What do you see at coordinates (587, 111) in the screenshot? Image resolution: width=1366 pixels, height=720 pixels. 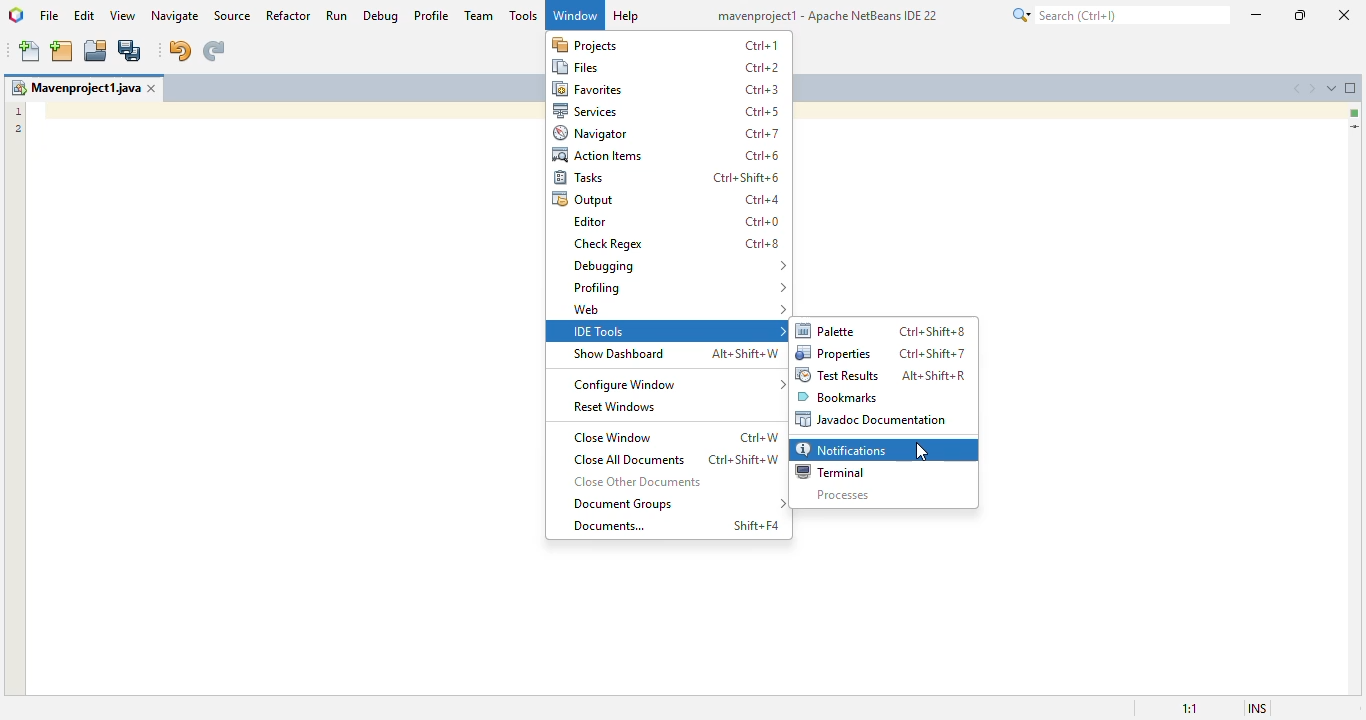 I see `services` at bounding box center [587, 111].